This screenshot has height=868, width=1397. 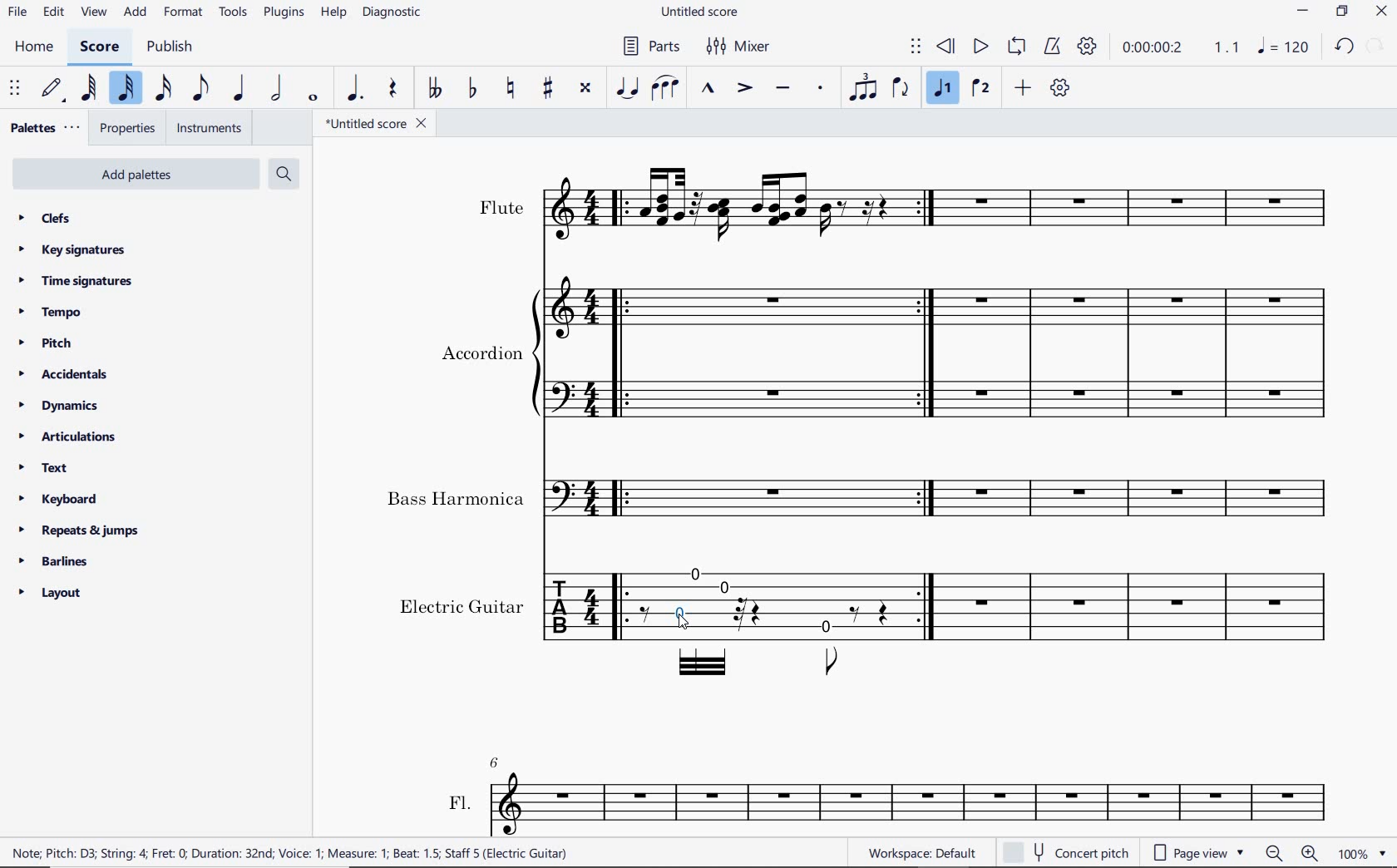 I want to click on close, so click(x=1382, y=12).